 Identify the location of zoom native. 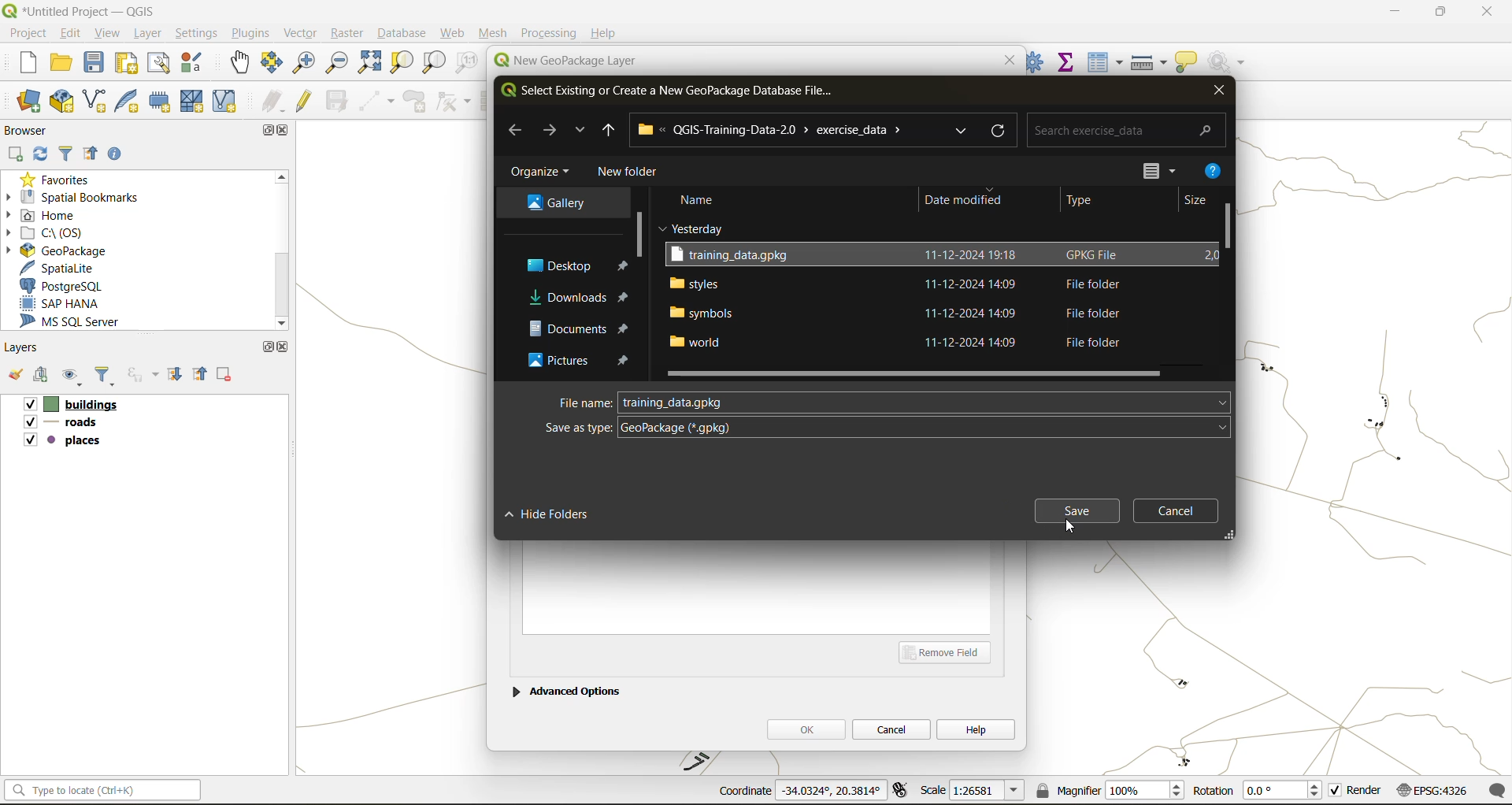
(467, 65).